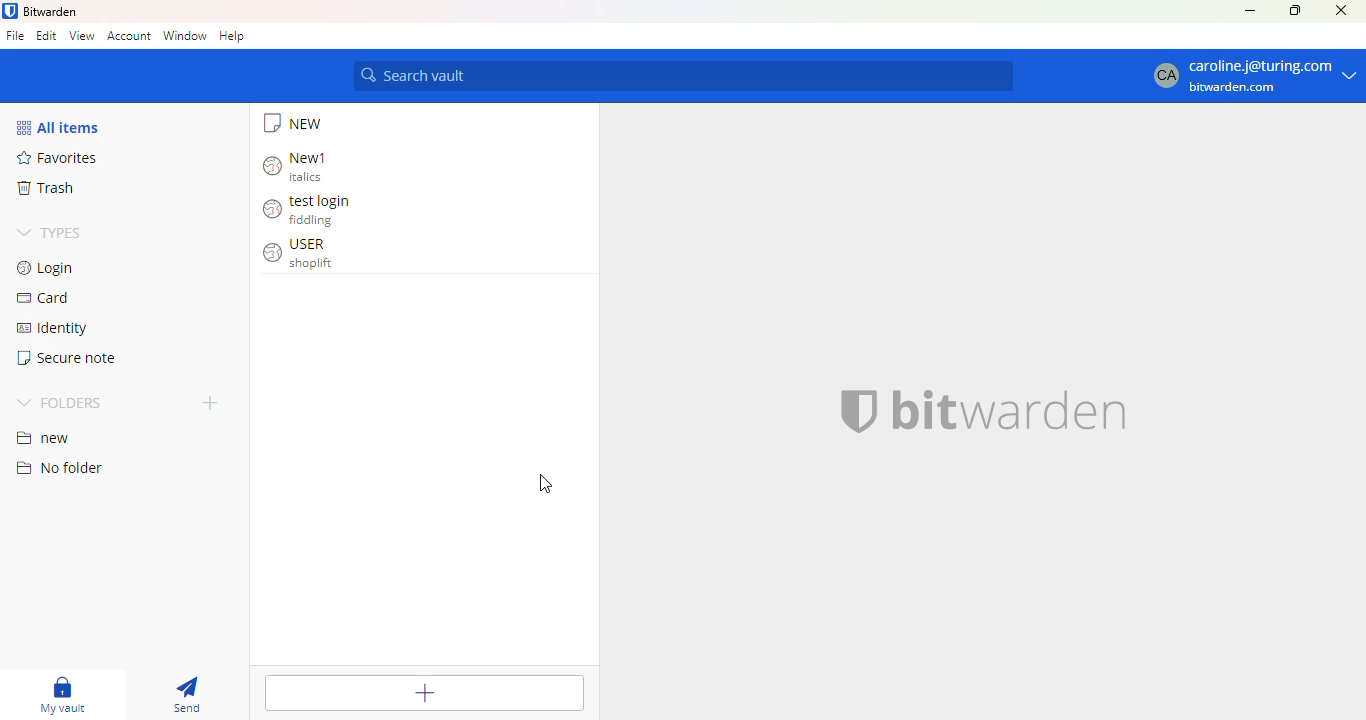  Describe the element at coordinates (51, 328) in the screenshot. I see `identity` at that location.